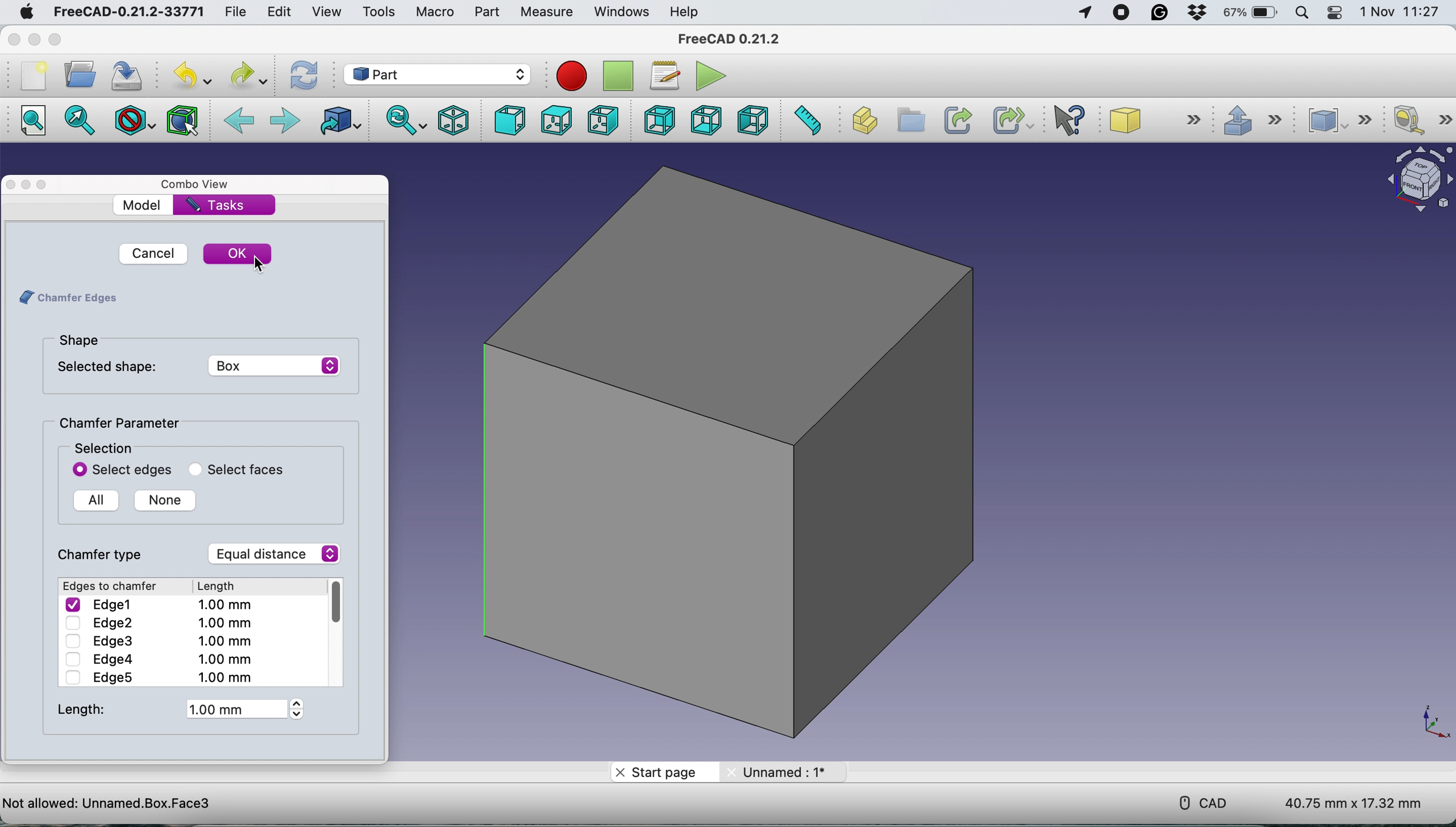  Describe the element at coordinates (35, 77) in the screenshot. I see `new` at that location.